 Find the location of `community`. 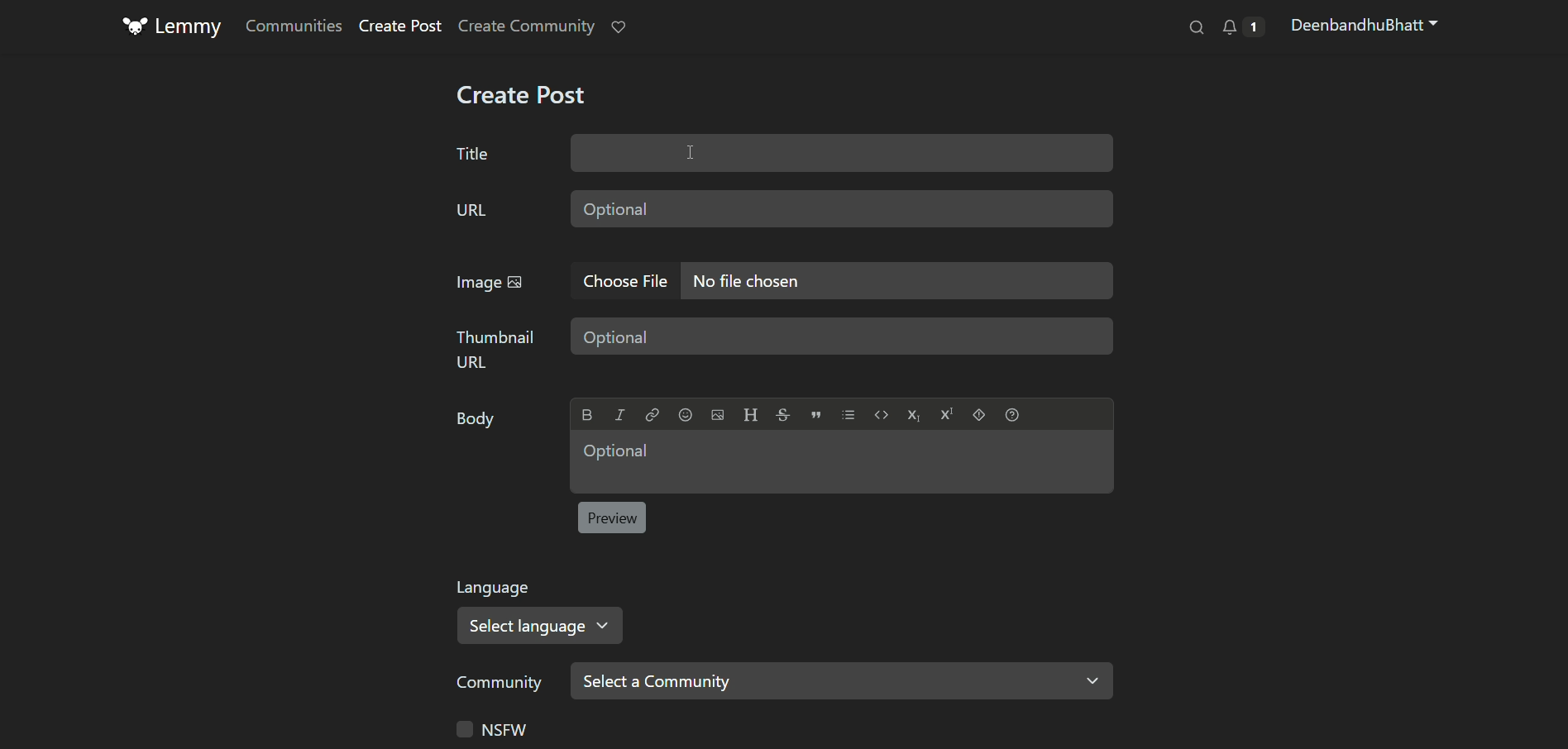

community is located at coordinates (499, 683).